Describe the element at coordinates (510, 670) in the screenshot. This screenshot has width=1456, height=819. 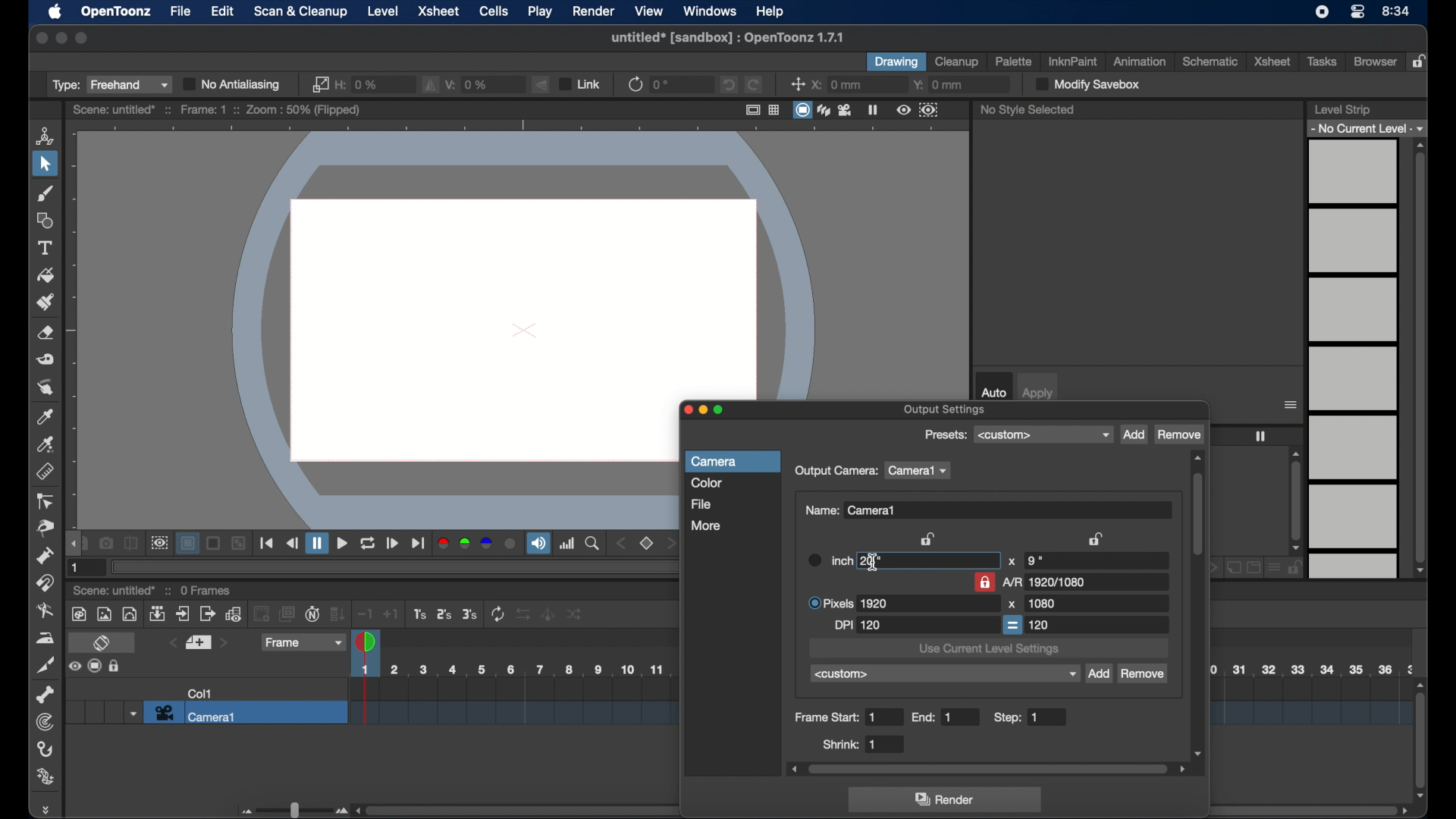
I see `scene scale` at that location.